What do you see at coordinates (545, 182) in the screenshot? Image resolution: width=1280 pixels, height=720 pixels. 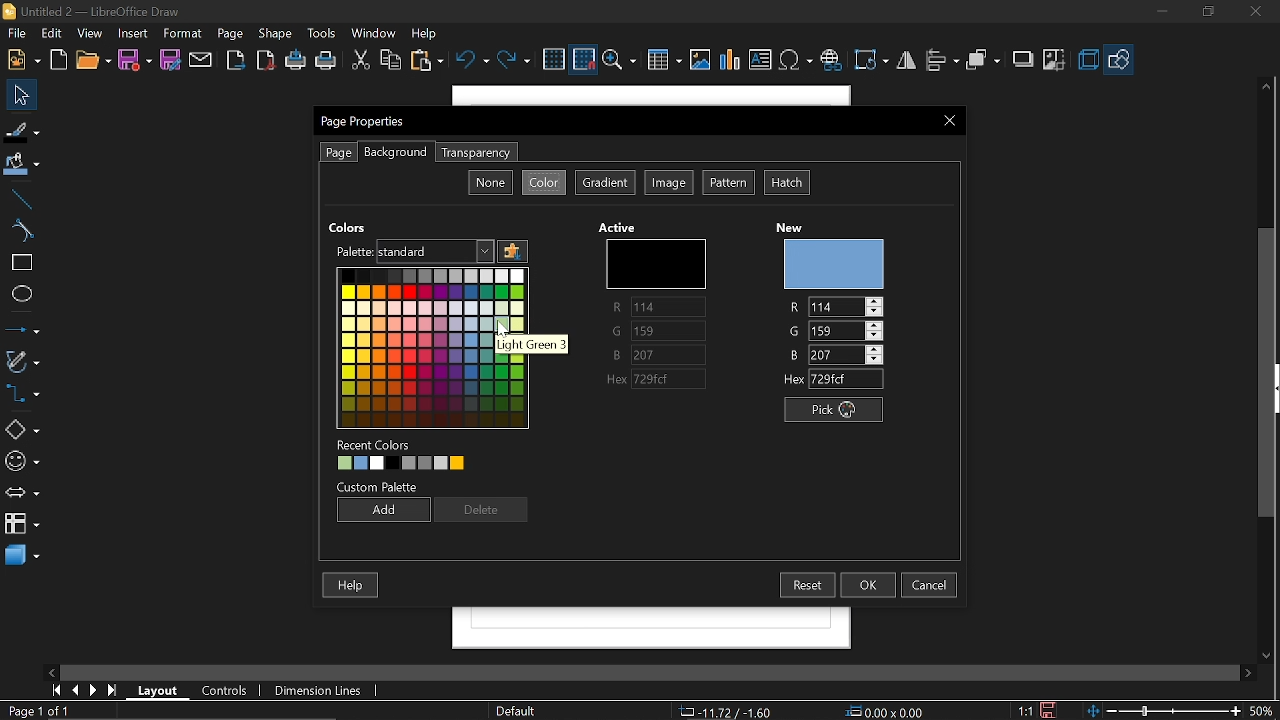 I see `Color` at bounding box center [545, 182].